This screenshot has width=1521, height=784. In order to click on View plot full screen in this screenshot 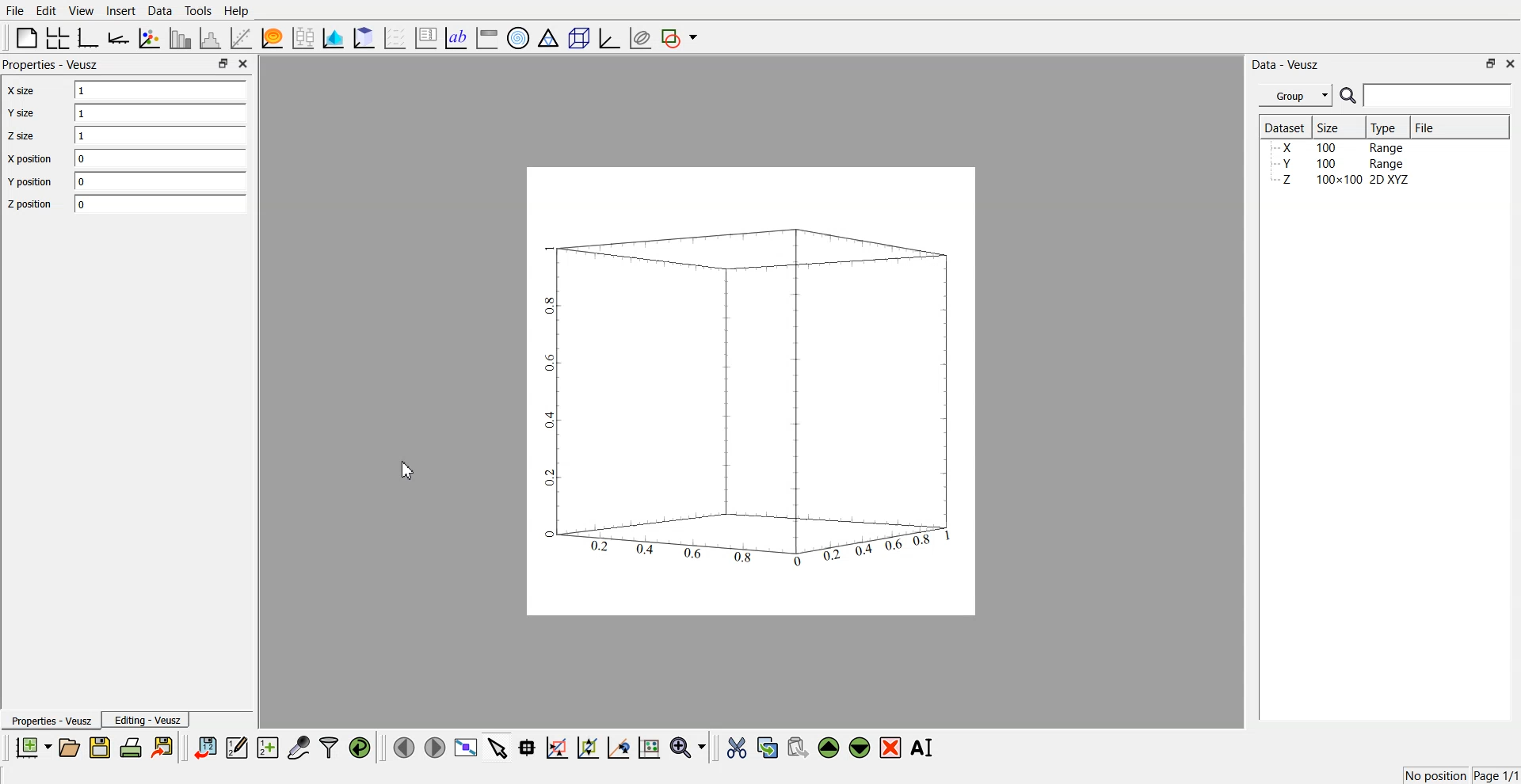, I will do `click(467, 747)`.